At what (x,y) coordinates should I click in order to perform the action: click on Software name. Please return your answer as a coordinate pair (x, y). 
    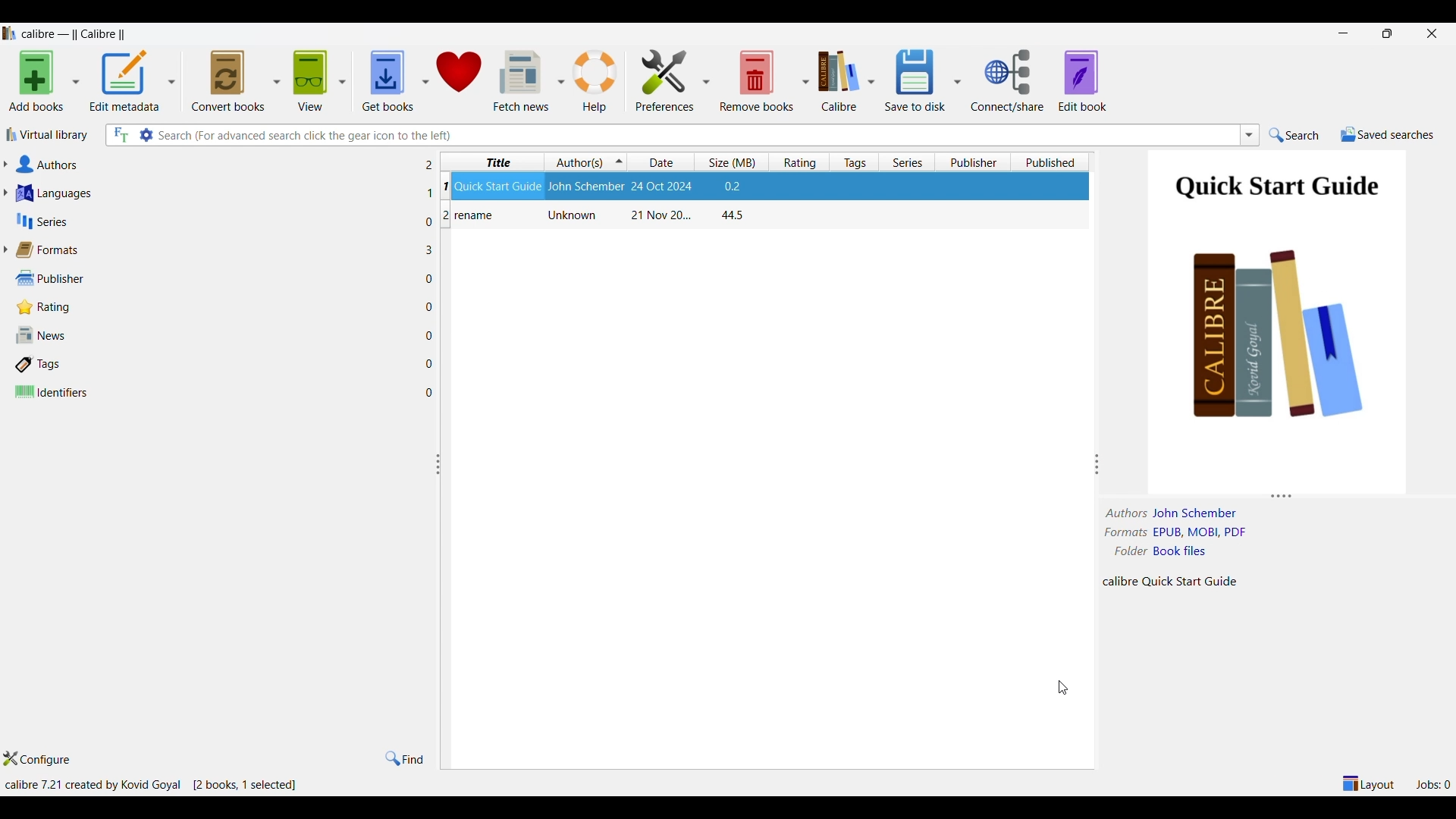
    Looking at the image, I should click on (78, 34).